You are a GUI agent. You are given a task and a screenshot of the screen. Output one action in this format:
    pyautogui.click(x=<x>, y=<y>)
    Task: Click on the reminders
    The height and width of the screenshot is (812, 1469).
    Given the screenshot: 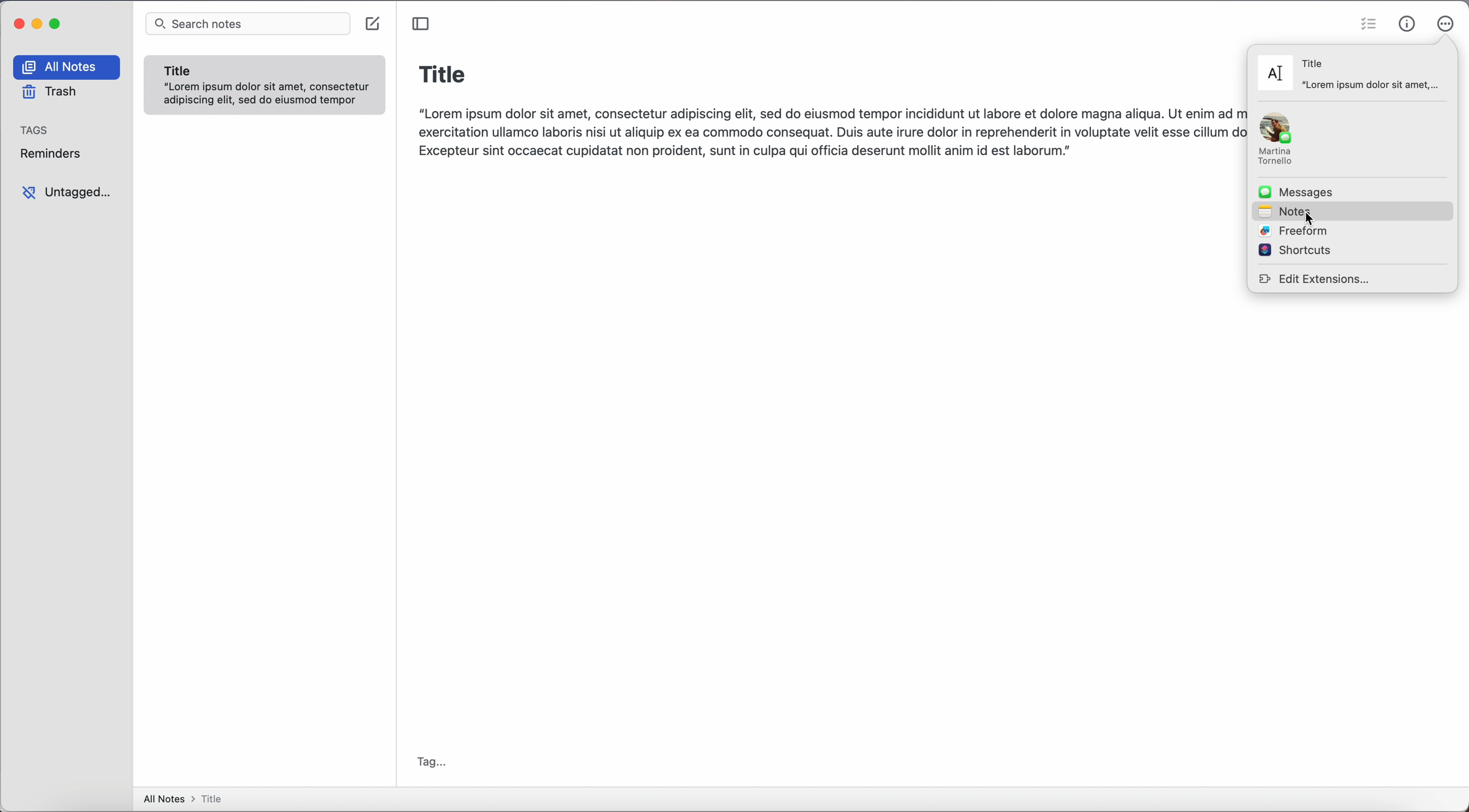 What is the action you would take?
    pyautogui.click(x=55, y=153)
    